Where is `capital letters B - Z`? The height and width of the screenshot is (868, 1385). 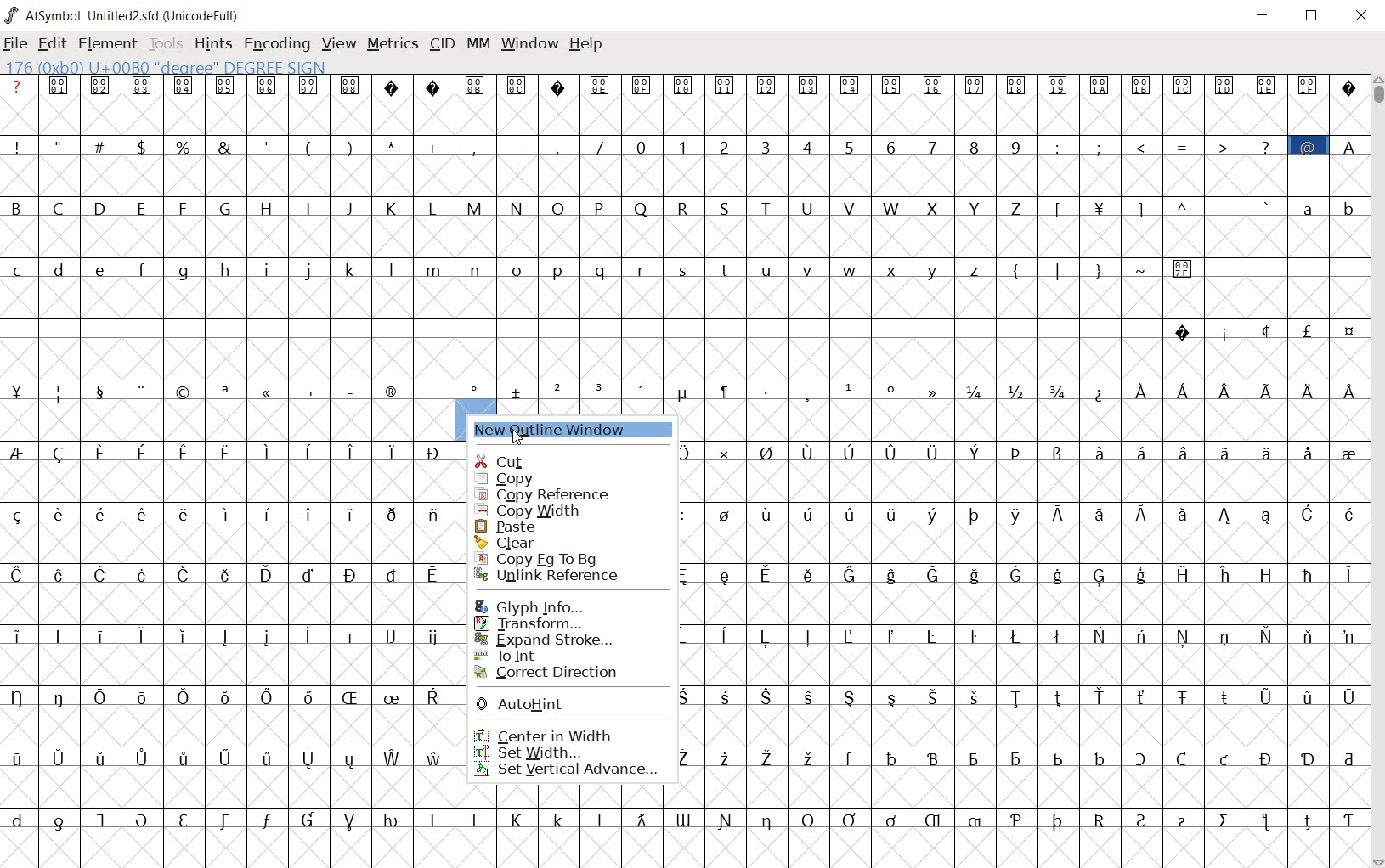
capital letters B - Z is located at coordinates (521, 207).